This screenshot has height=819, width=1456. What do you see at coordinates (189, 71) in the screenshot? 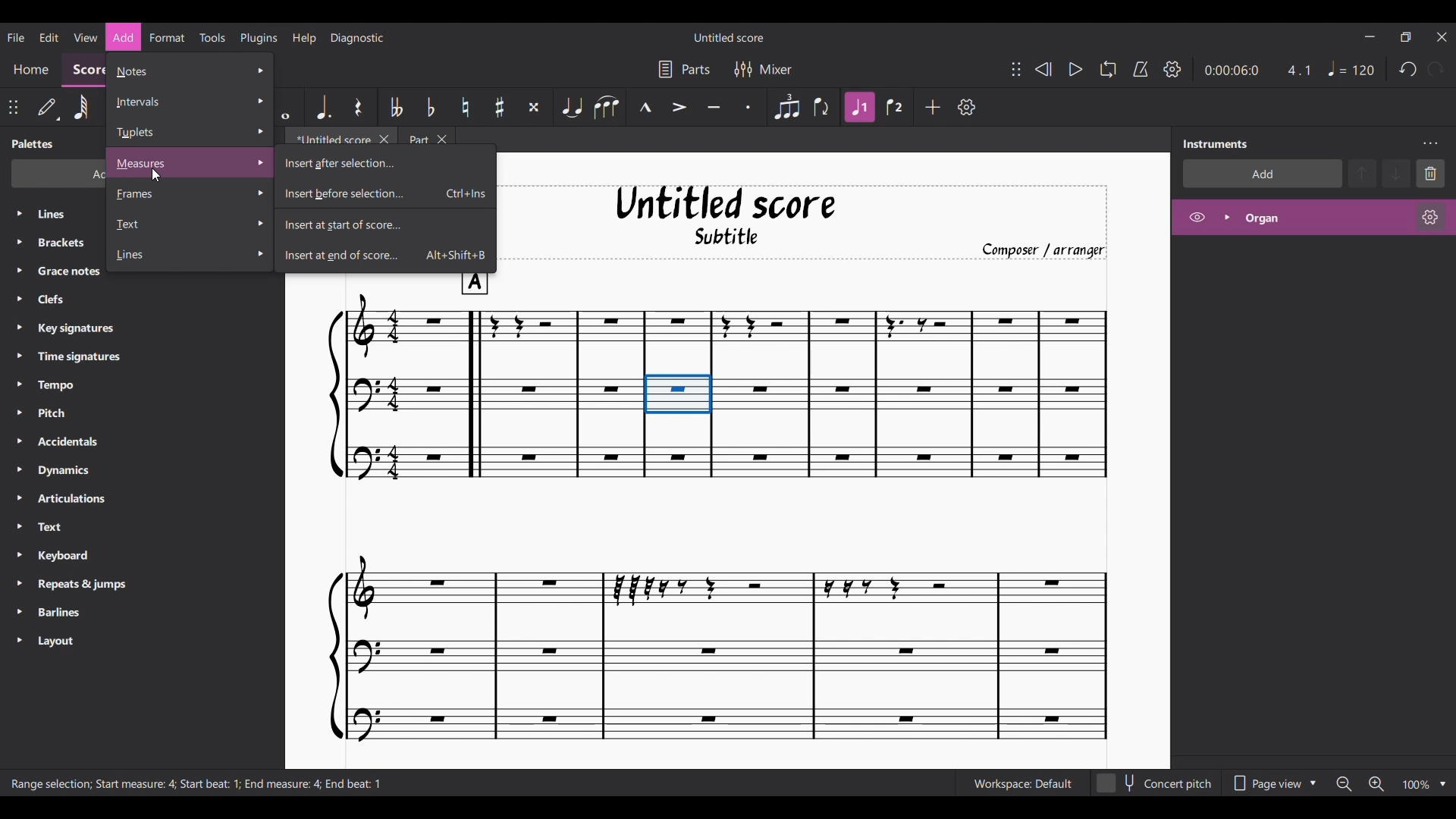
I see `Notes options` at bounding box center [189, 71].